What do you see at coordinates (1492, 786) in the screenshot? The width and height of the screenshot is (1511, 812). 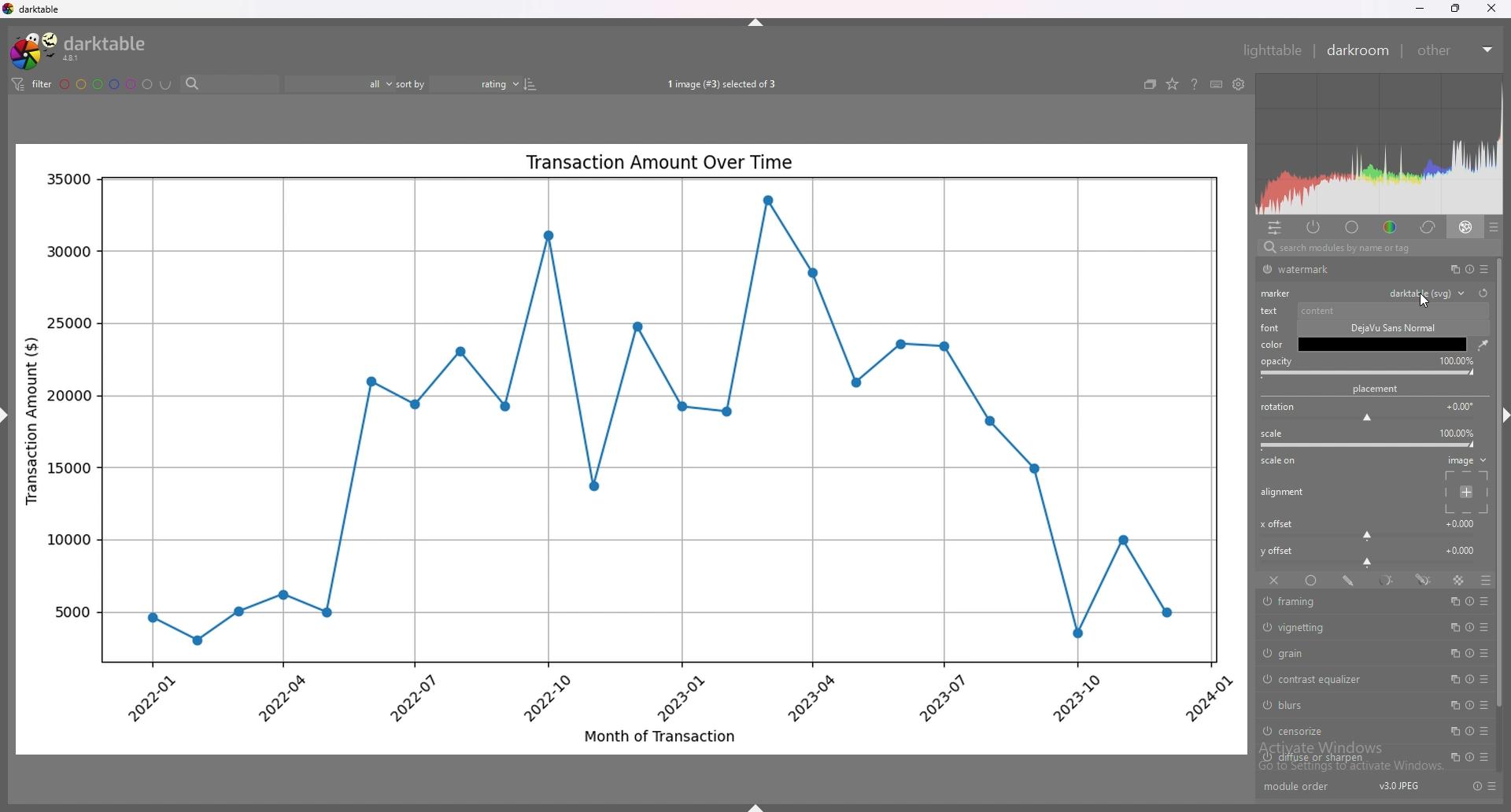 I see `presets` at bounding box center [1492, 786].